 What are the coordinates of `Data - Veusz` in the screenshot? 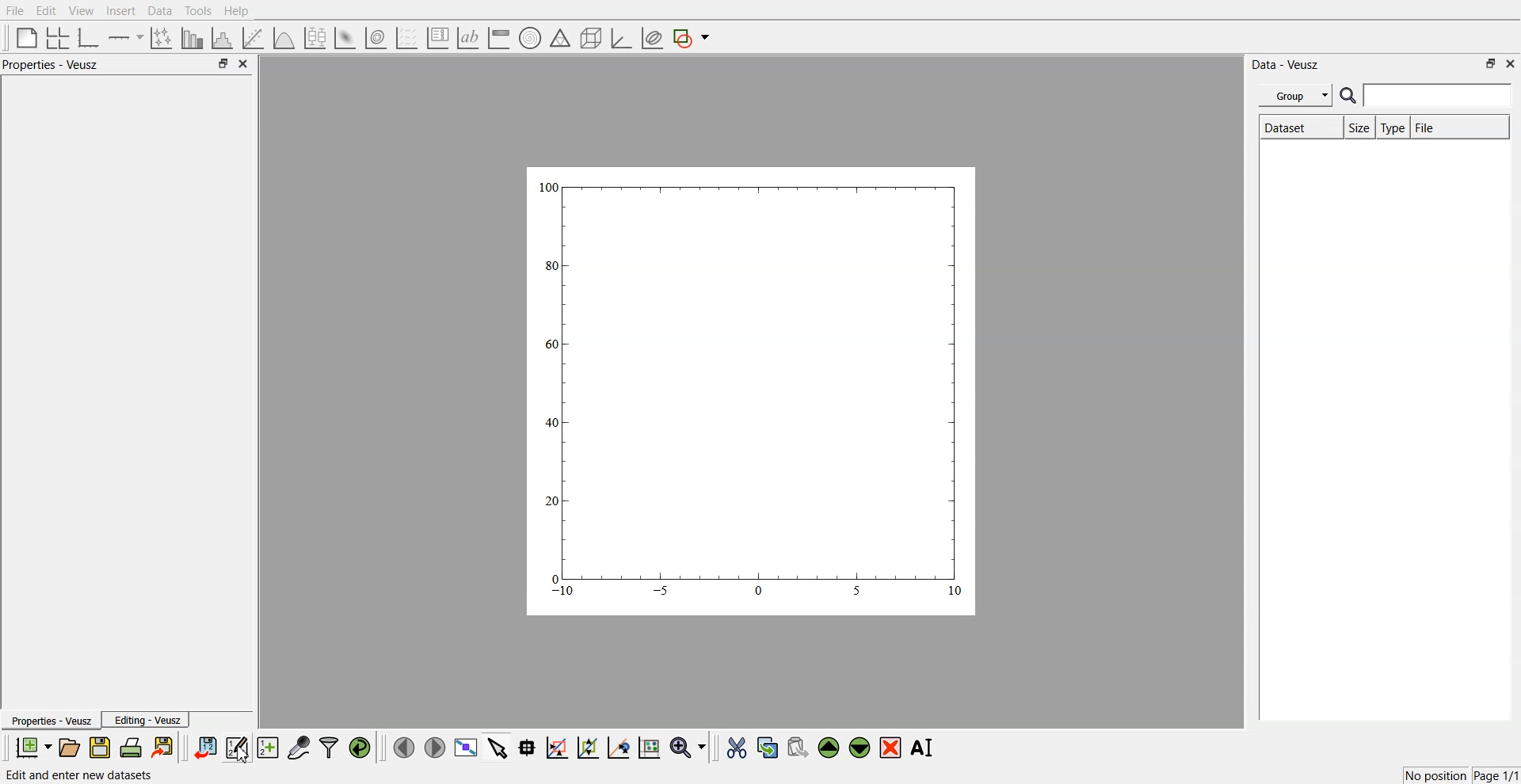 It's located at (1287, 65).